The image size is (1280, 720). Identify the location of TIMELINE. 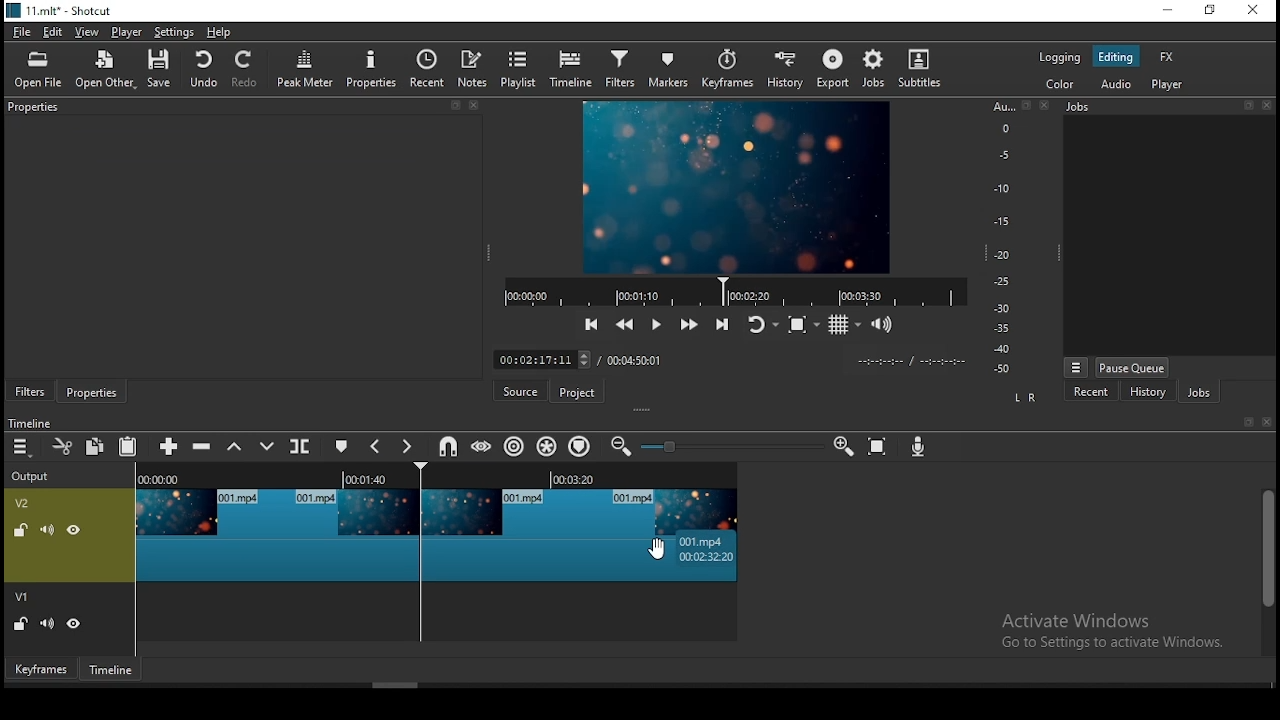
(438, 475).